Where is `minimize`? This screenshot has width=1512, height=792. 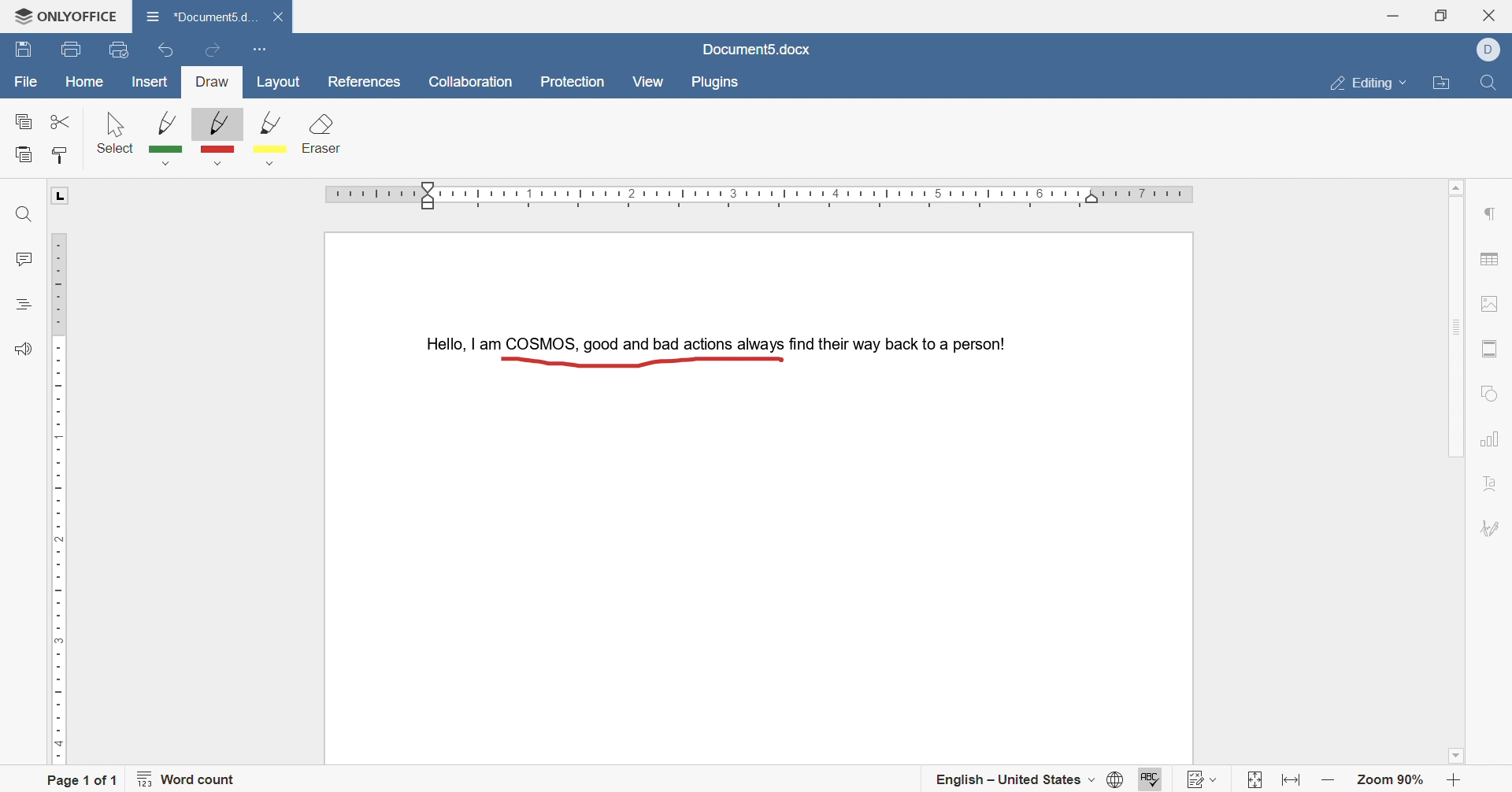 minimize is located at coordinates (1392, 13).